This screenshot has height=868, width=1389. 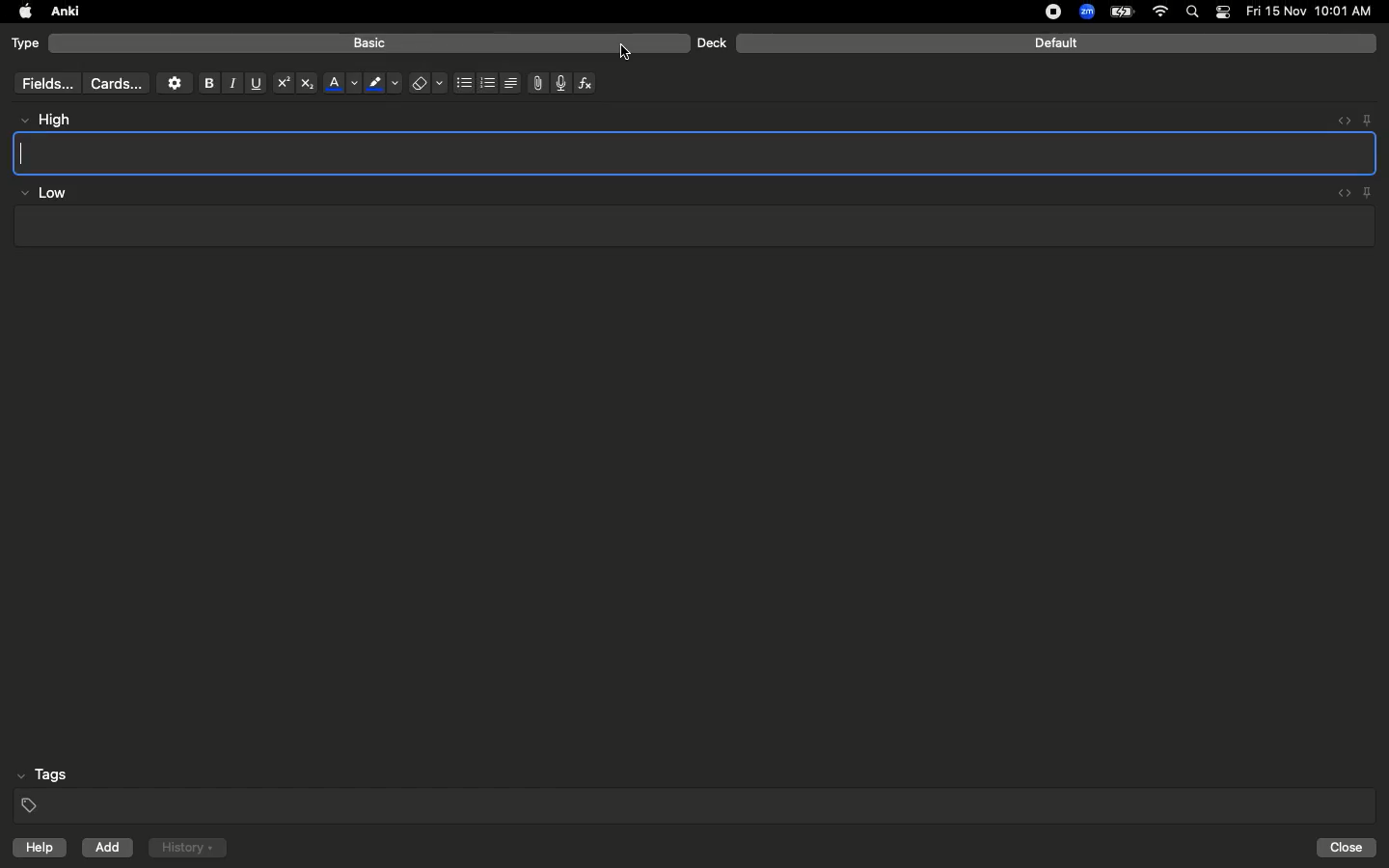 What do you see at coordinates (586, 83) in the screenshot?
I see `Function` at bounding box center [586, 83].